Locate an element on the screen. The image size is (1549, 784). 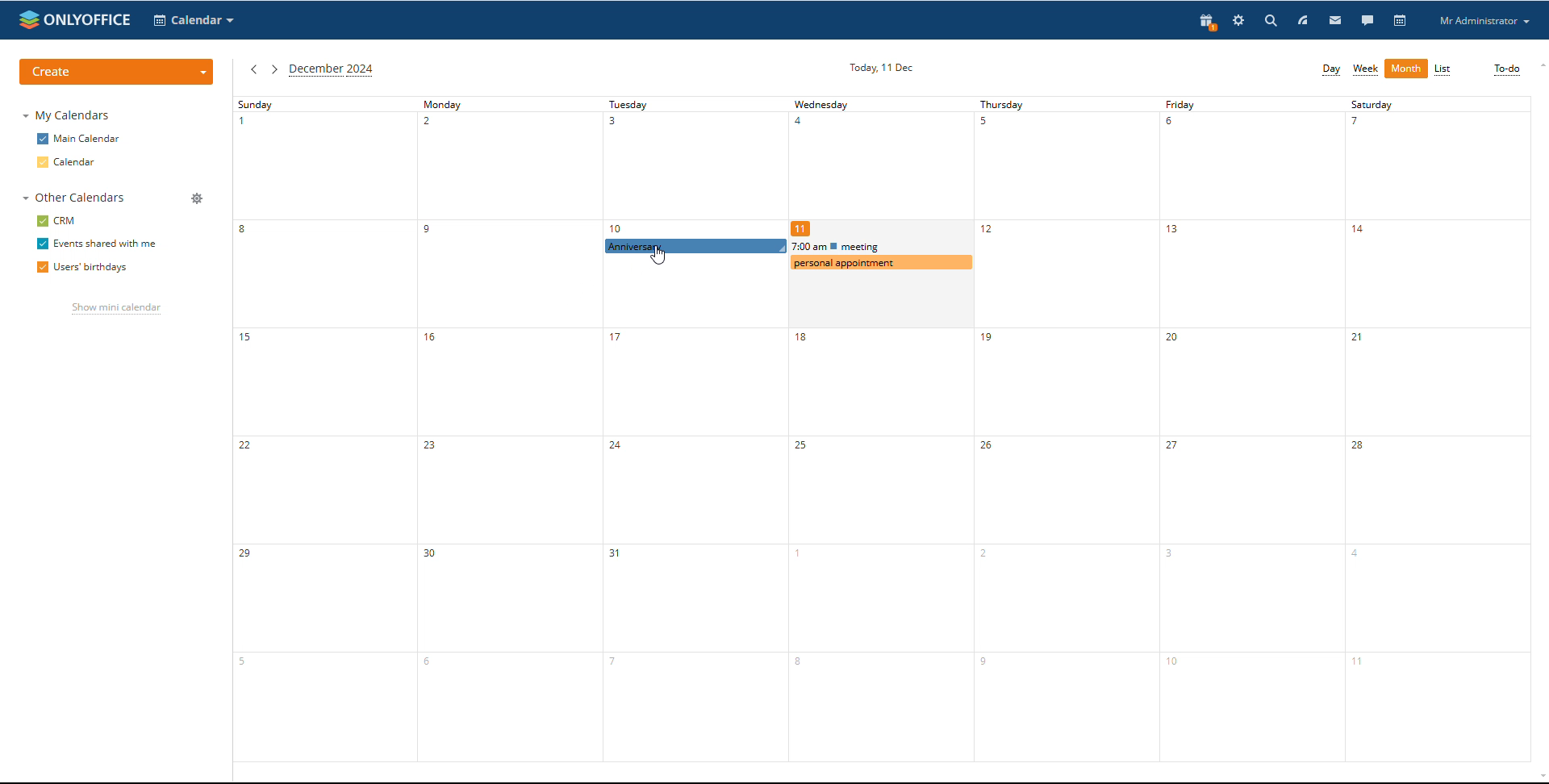
friday is located at coordinates (1252, 428).